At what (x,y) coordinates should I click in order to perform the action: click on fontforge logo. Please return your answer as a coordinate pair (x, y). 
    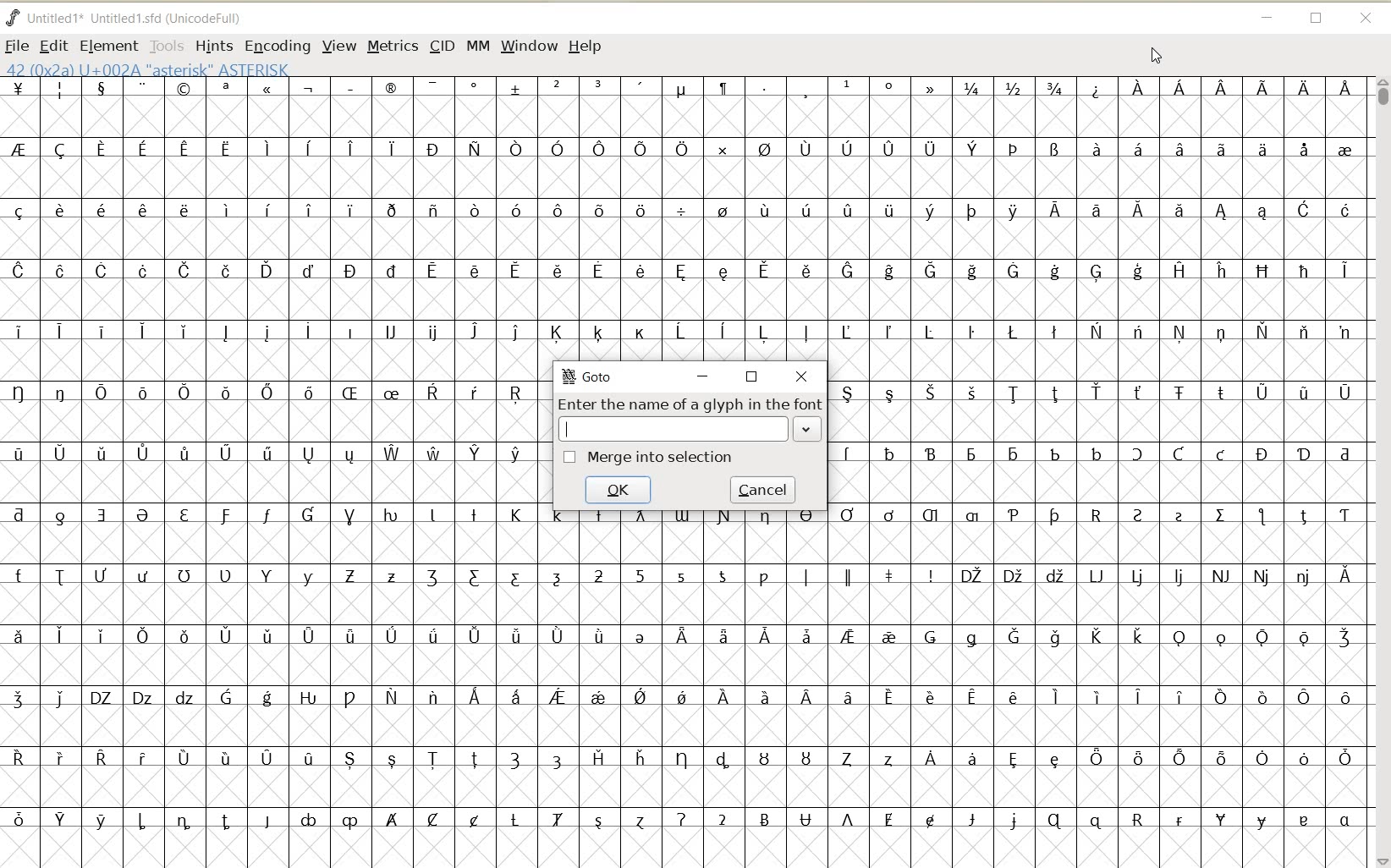
    Looking at the image, I should click on (14, 16).